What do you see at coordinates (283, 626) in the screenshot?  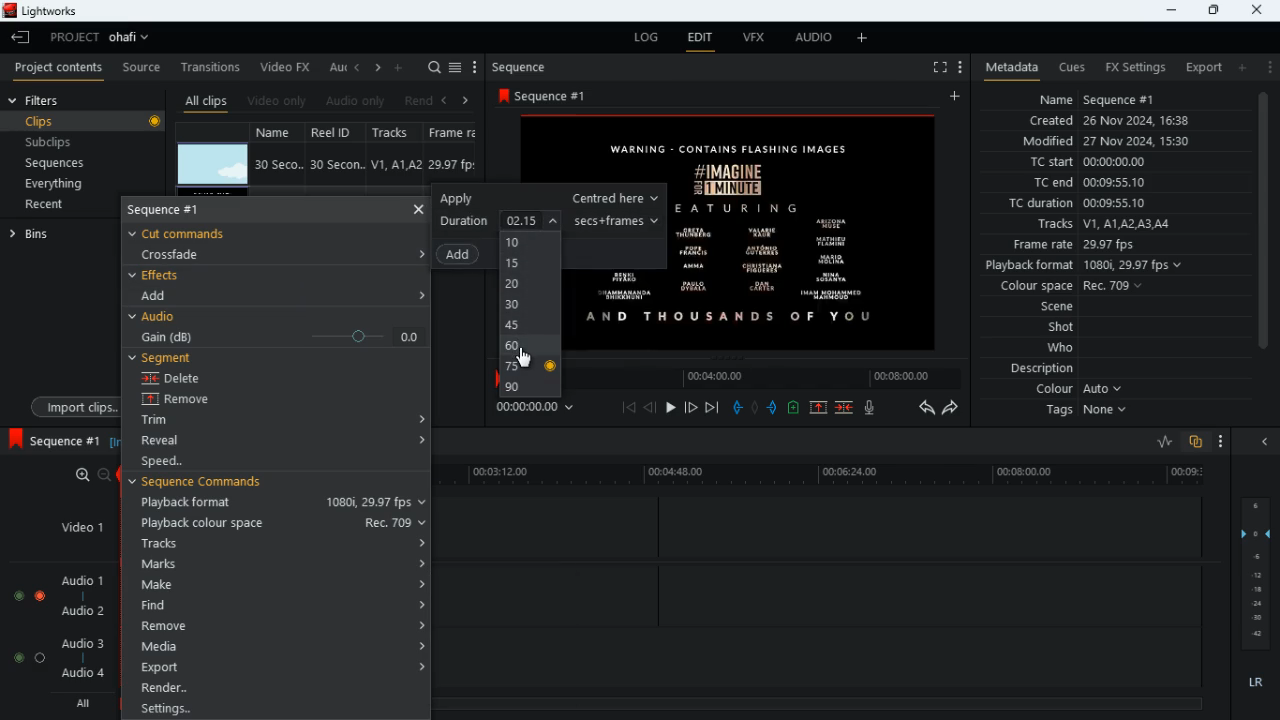 I see `remove` at bounding box center [283, 626].